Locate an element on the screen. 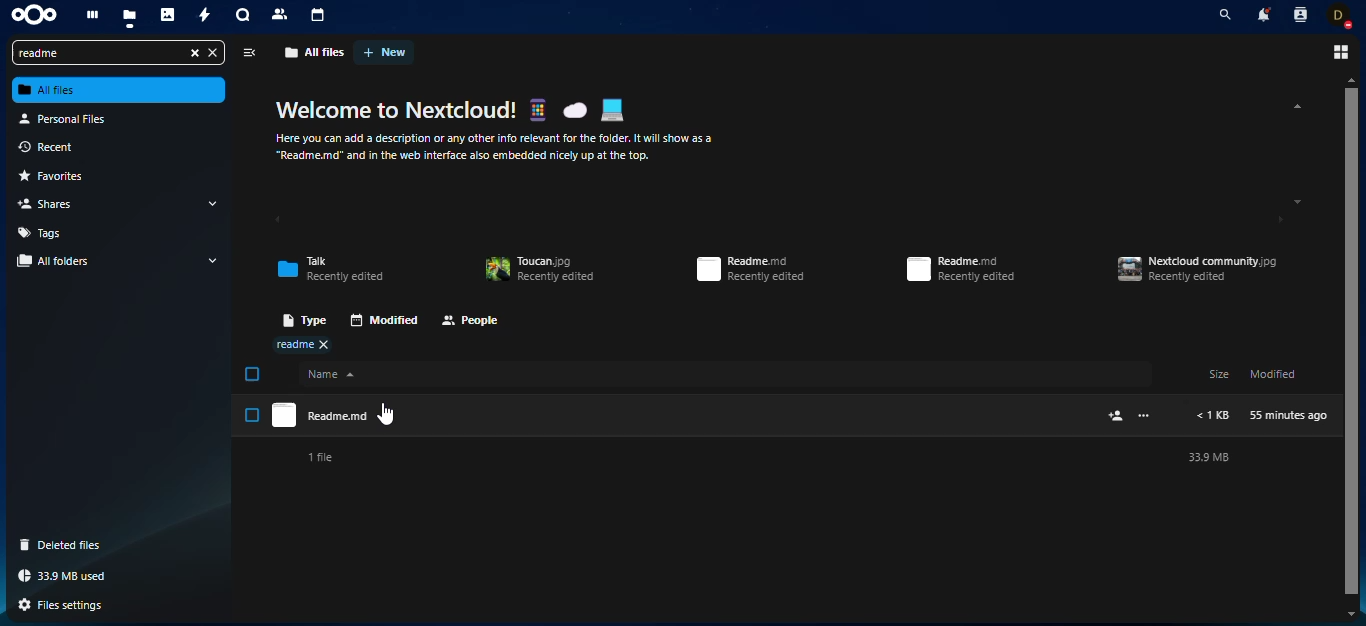  “Readme.md” and in the web interface also embedded nicely up at the top. is located at coordinates (463, 156).